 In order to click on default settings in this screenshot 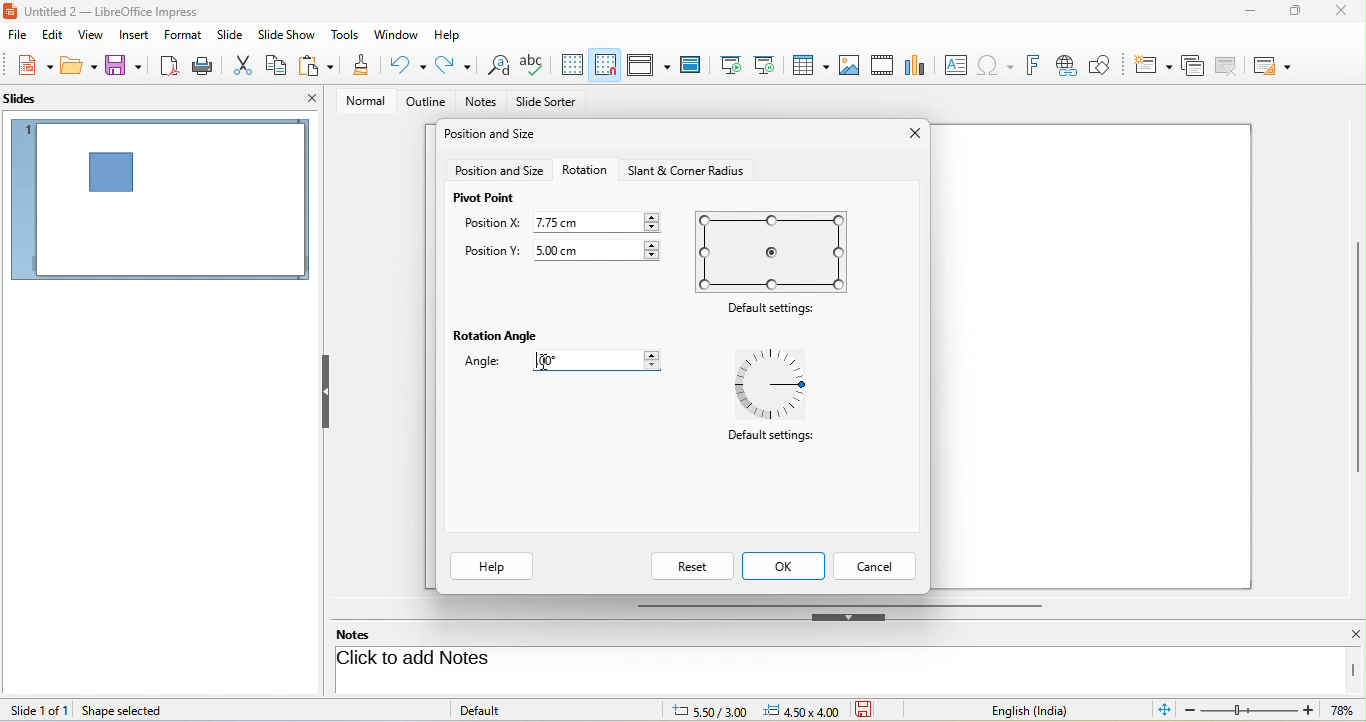, I will do `click(777, 385)`.